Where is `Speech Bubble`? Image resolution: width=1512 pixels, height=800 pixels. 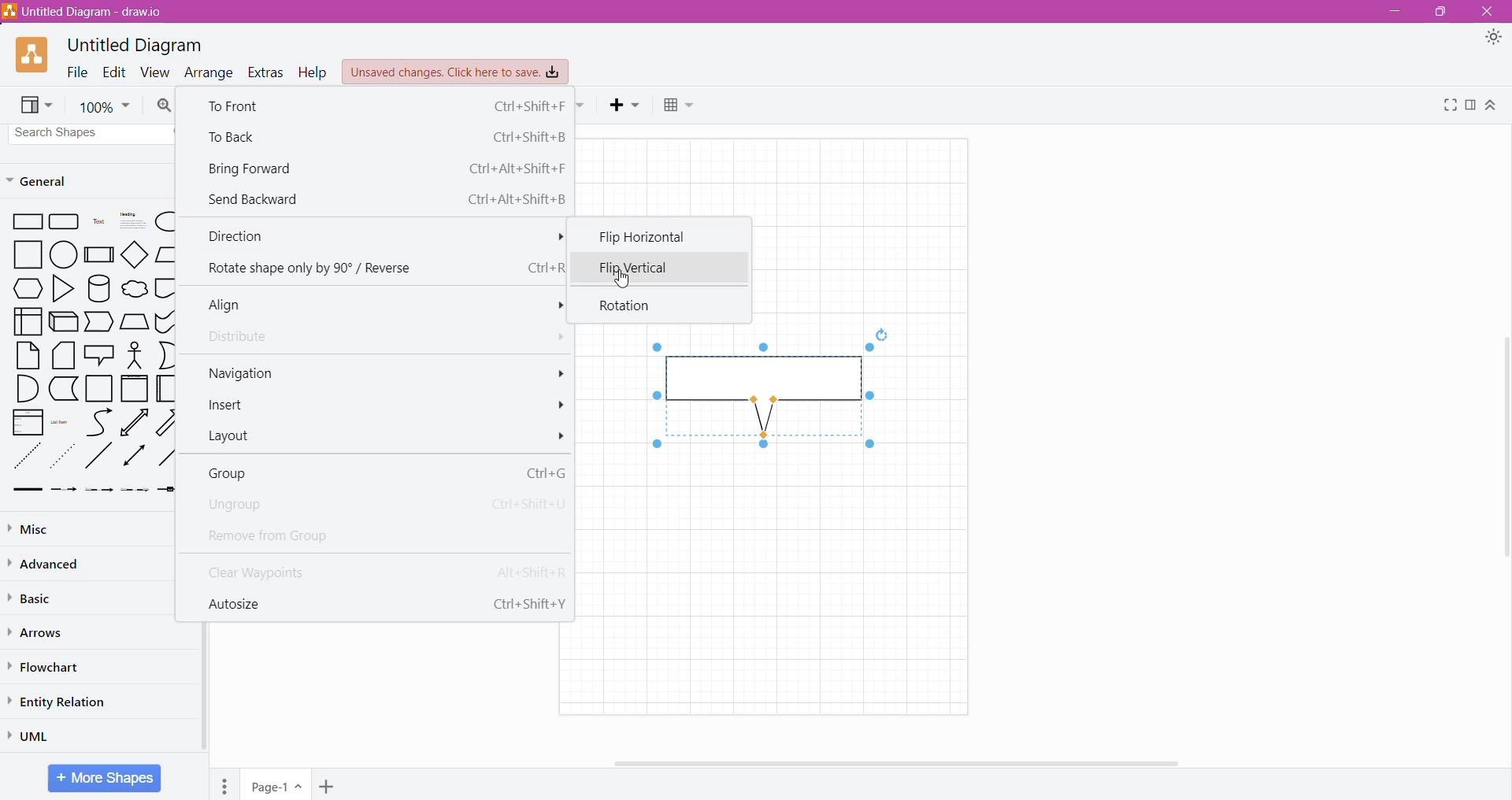 Speech Bubble is located at coordinates (99, 354).